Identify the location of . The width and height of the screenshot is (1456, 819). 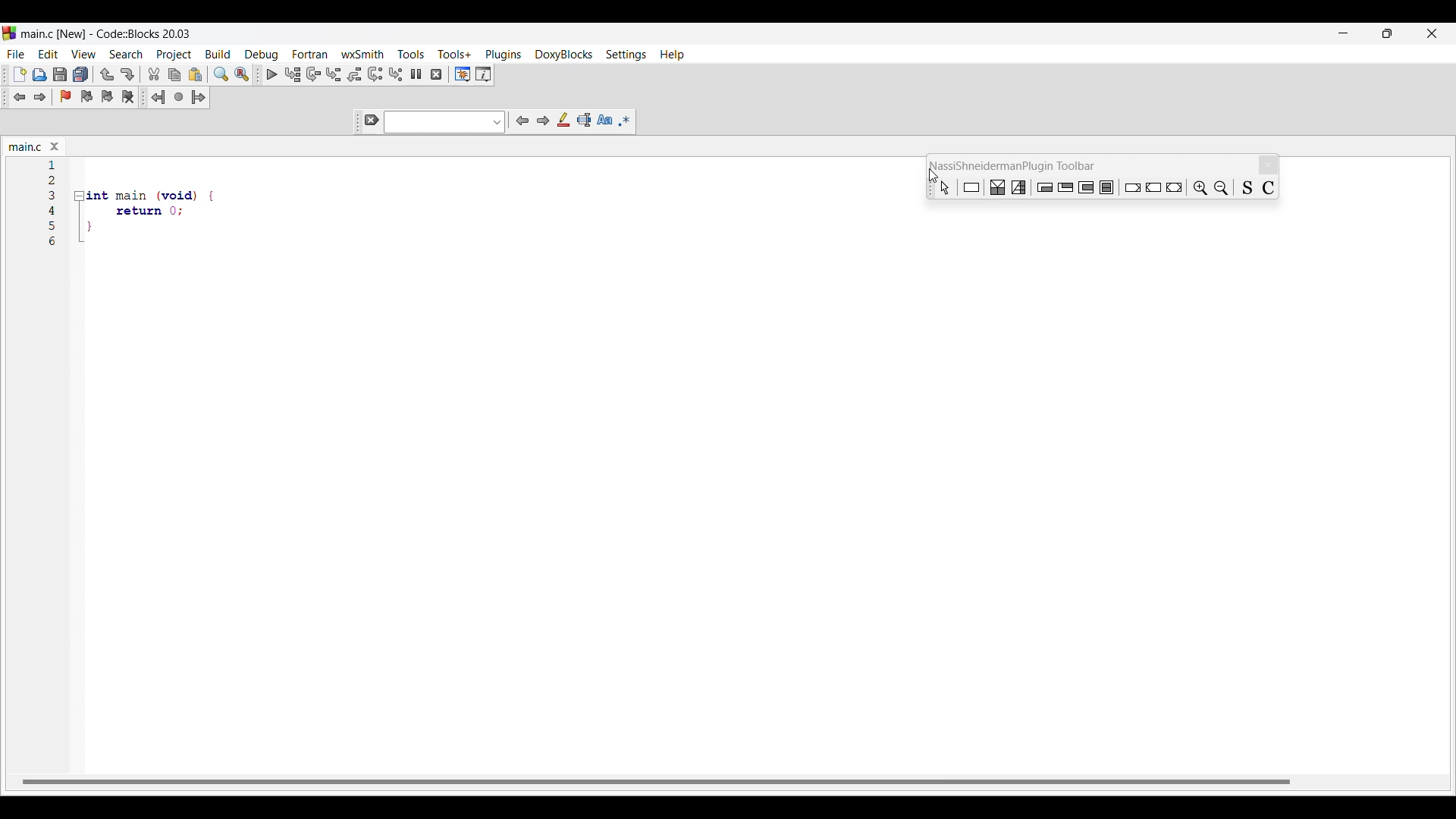
(1109, 187).